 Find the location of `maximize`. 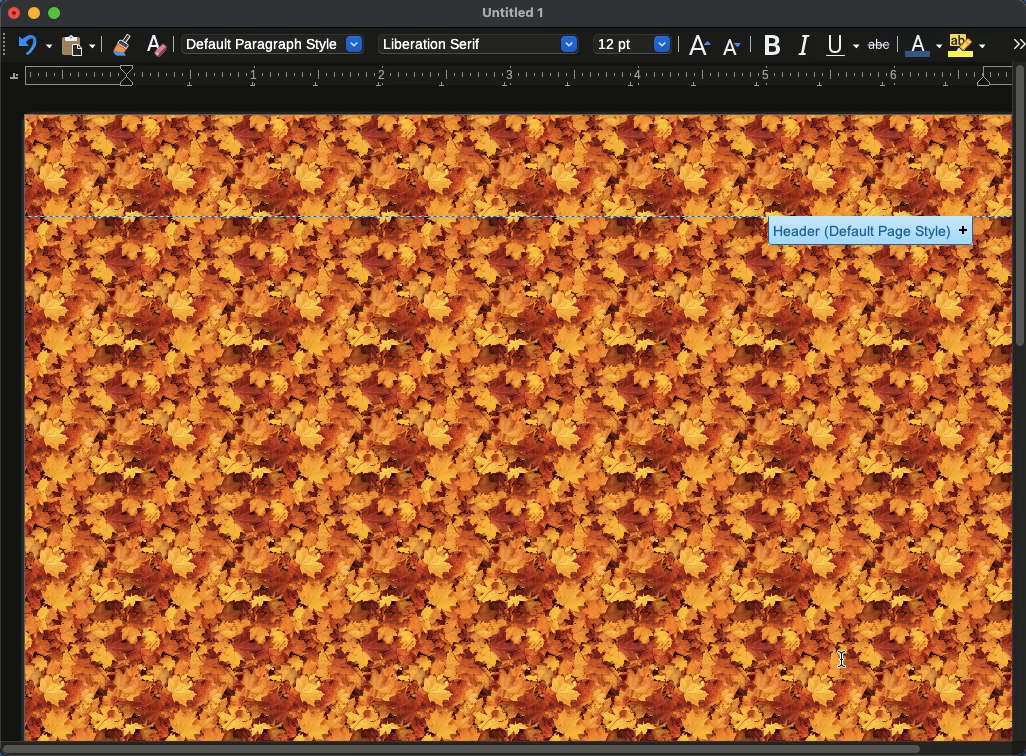

maximize is located at coordinates (55, 13).